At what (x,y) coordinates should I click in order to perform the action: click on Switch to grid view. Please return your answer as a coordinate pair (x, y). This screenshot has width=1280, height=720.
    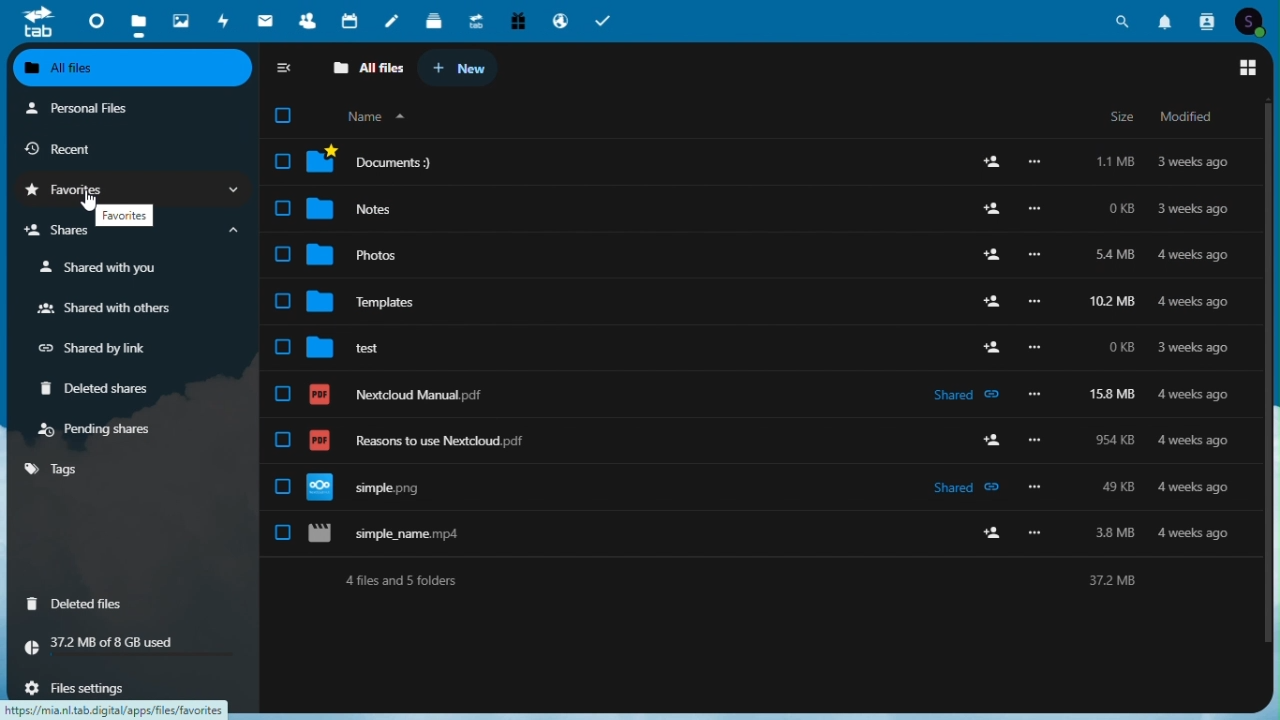
    Looking at the image, I should click on (1247, 67).